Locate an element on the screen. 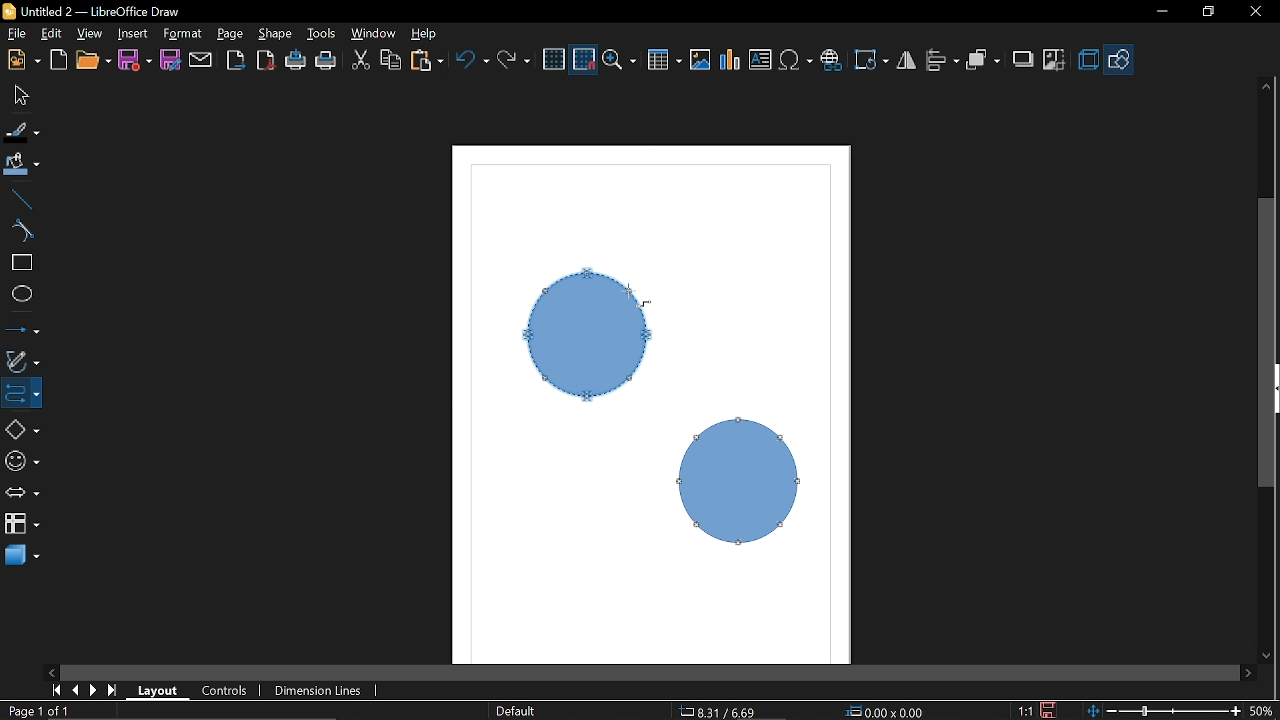 The height and width of the screenshot is (720, 1280). Save is located at coordinates (133, 60).